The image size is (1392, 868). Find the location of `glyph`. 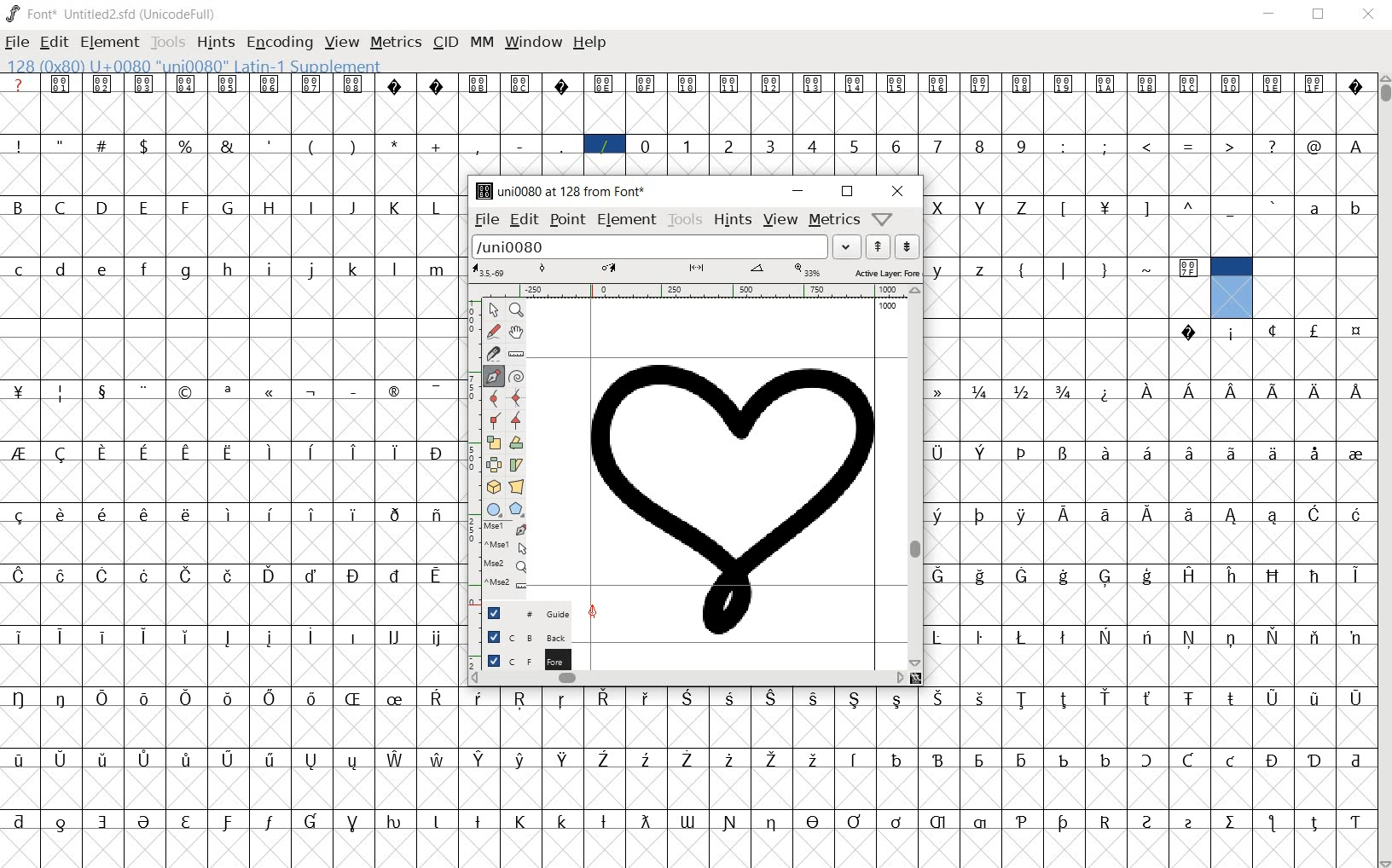

glyph is located at coordinates (309, 636).